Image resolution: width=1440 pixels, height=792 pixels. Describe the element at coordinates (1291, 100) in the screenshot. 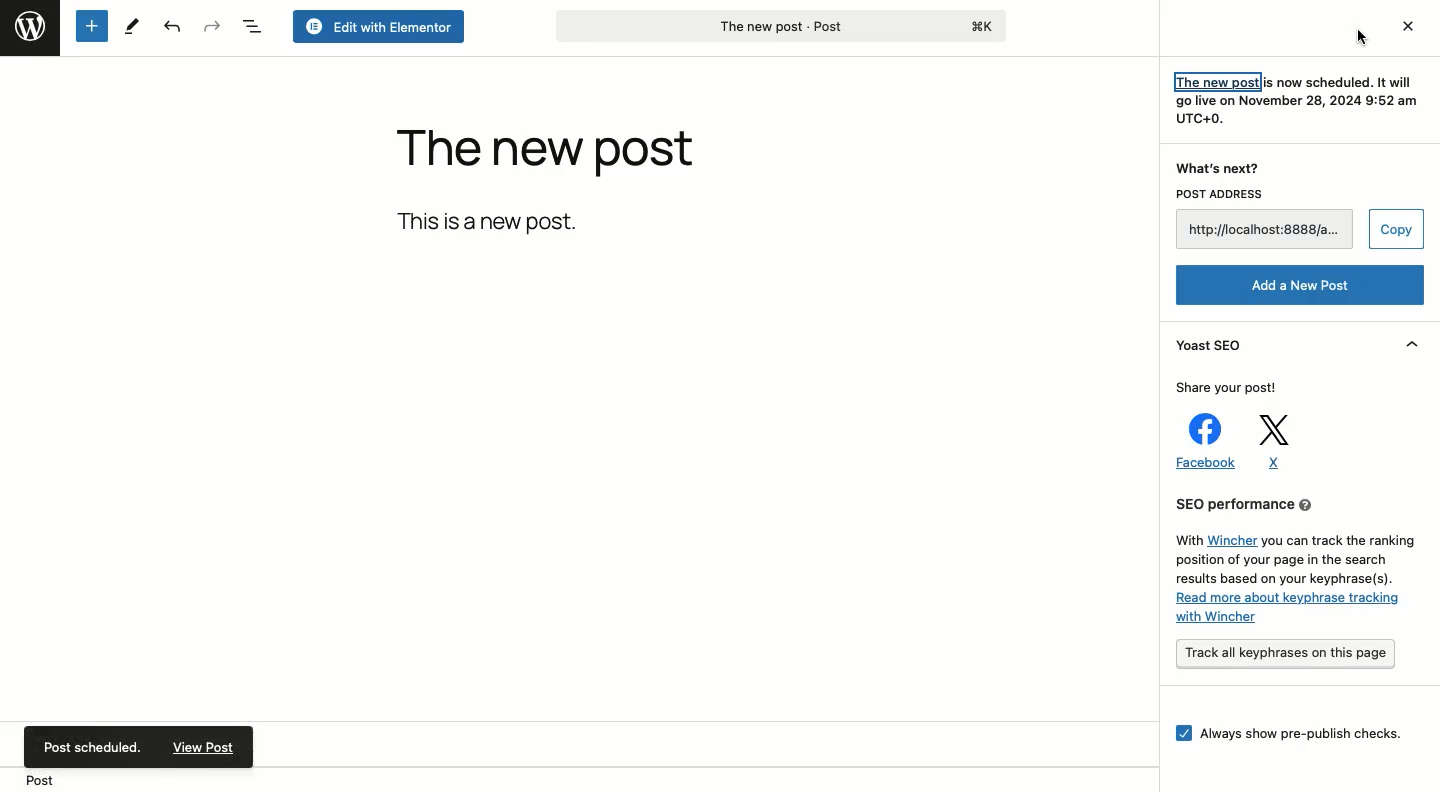

I see `The new post is now scheduled. It will go live on November 28, 2024 9:52 am UTC+0.` at that location.